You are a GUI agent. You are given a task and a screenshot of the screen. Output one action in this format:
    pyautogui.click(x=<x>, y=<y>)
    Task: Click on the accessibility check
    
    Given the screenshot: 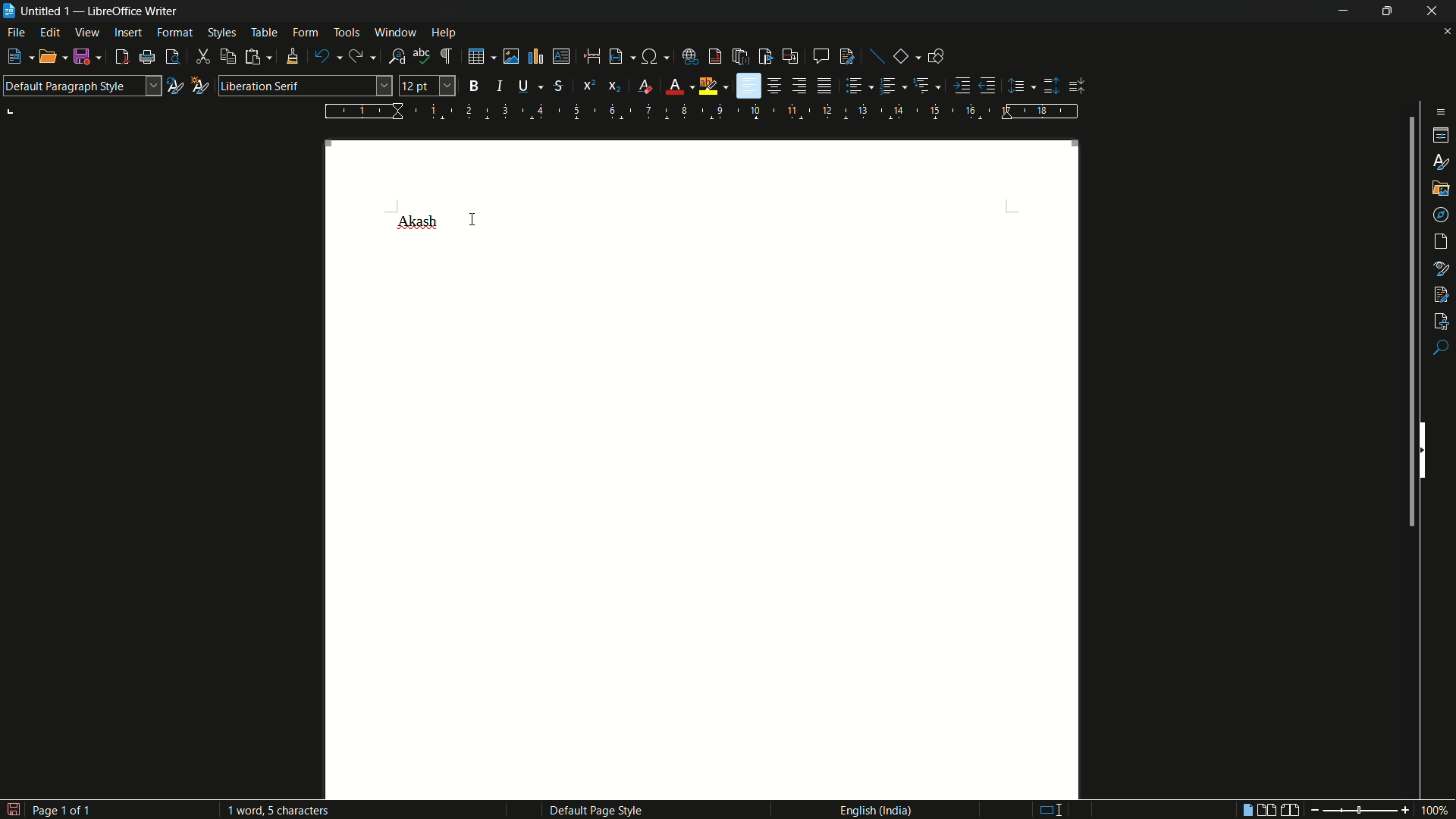 What is the action you would take?
    pyautogui.click(x=1442, y=319)
    